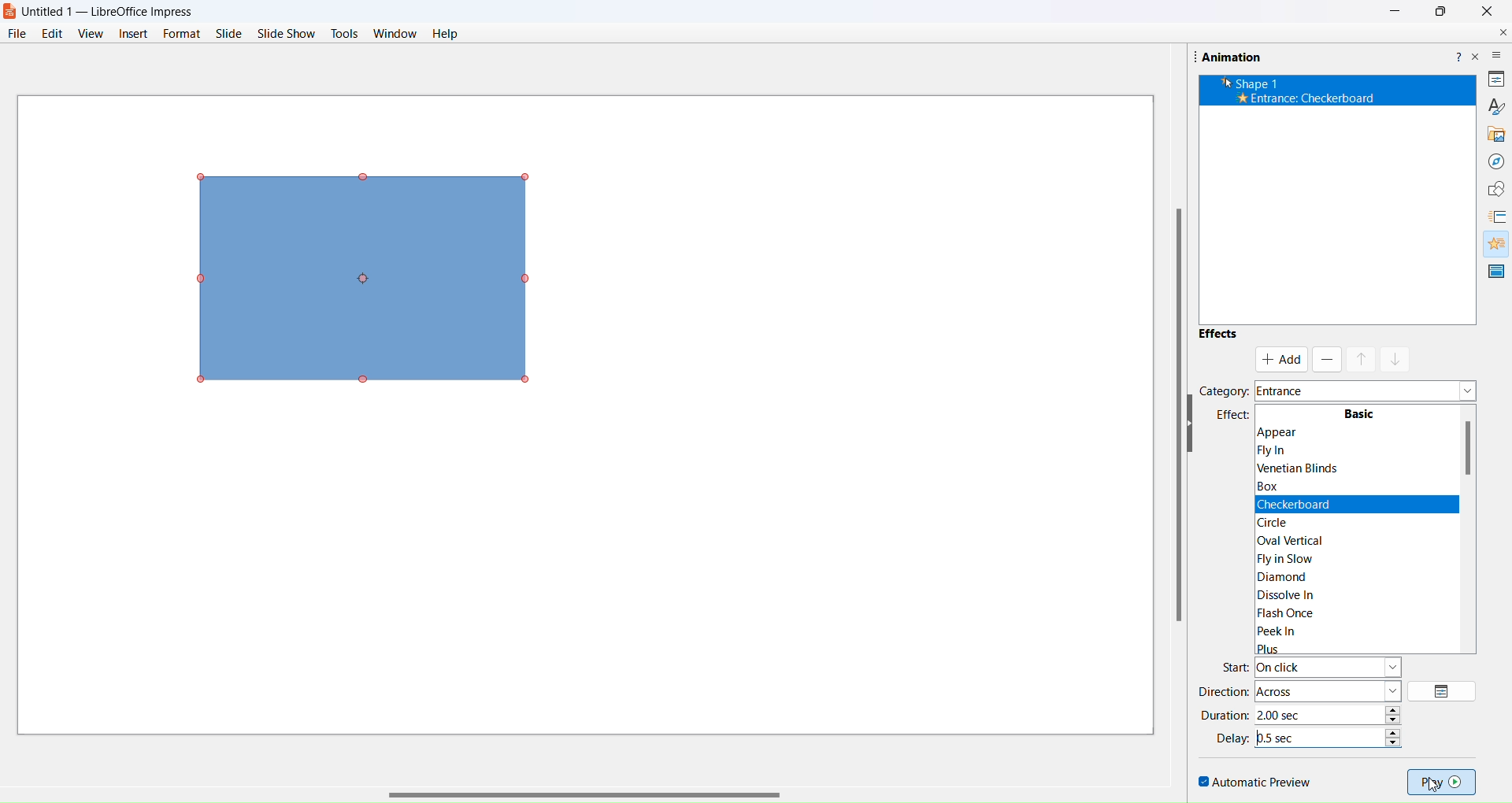 Image resolution: width=1512 pixels, height=803 pixels. I want to click on shapes, so click(1492, 187).